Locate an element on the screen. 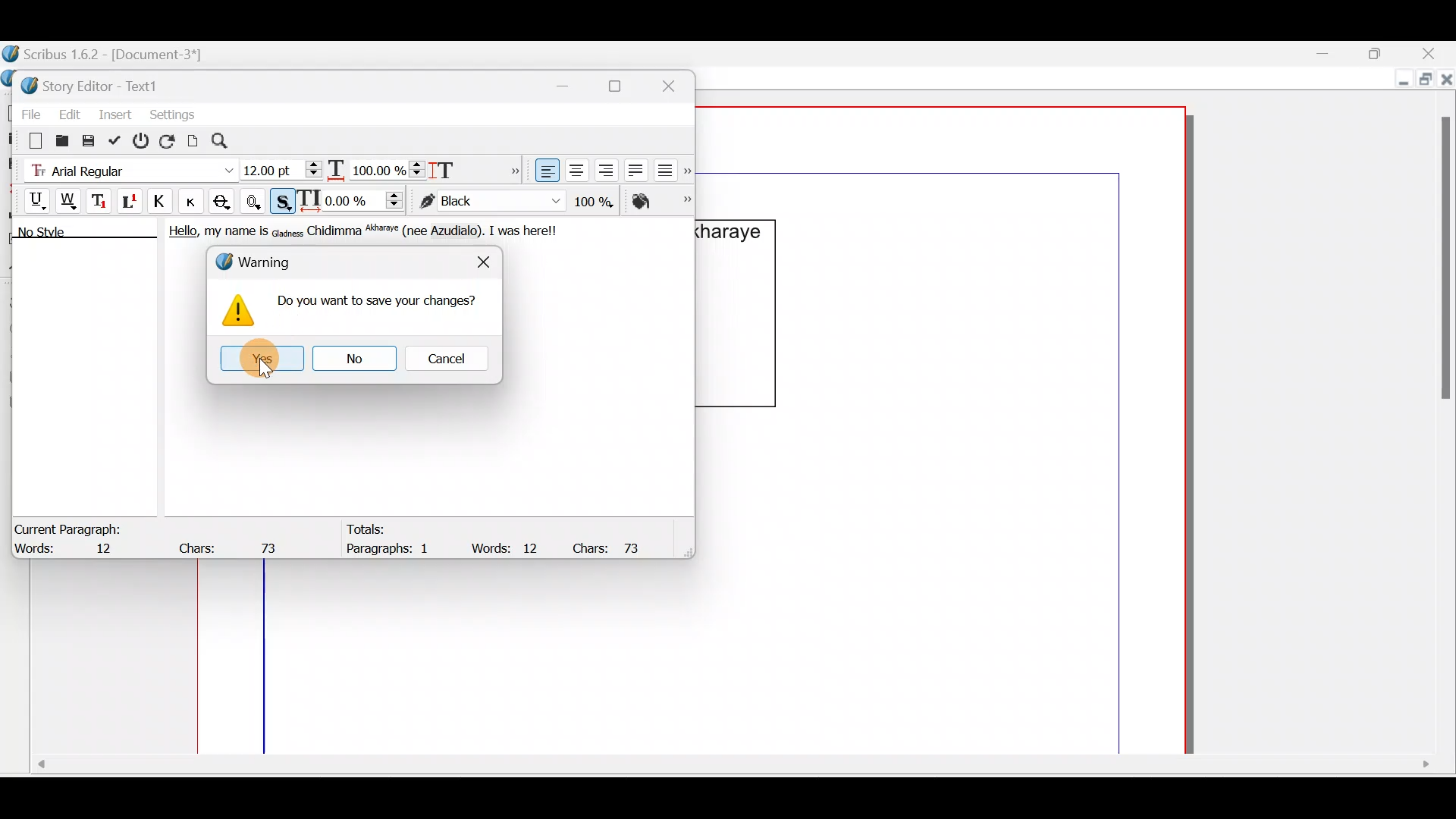 The image size is (1456, 819). (nee is located at coordinates (419, 231).